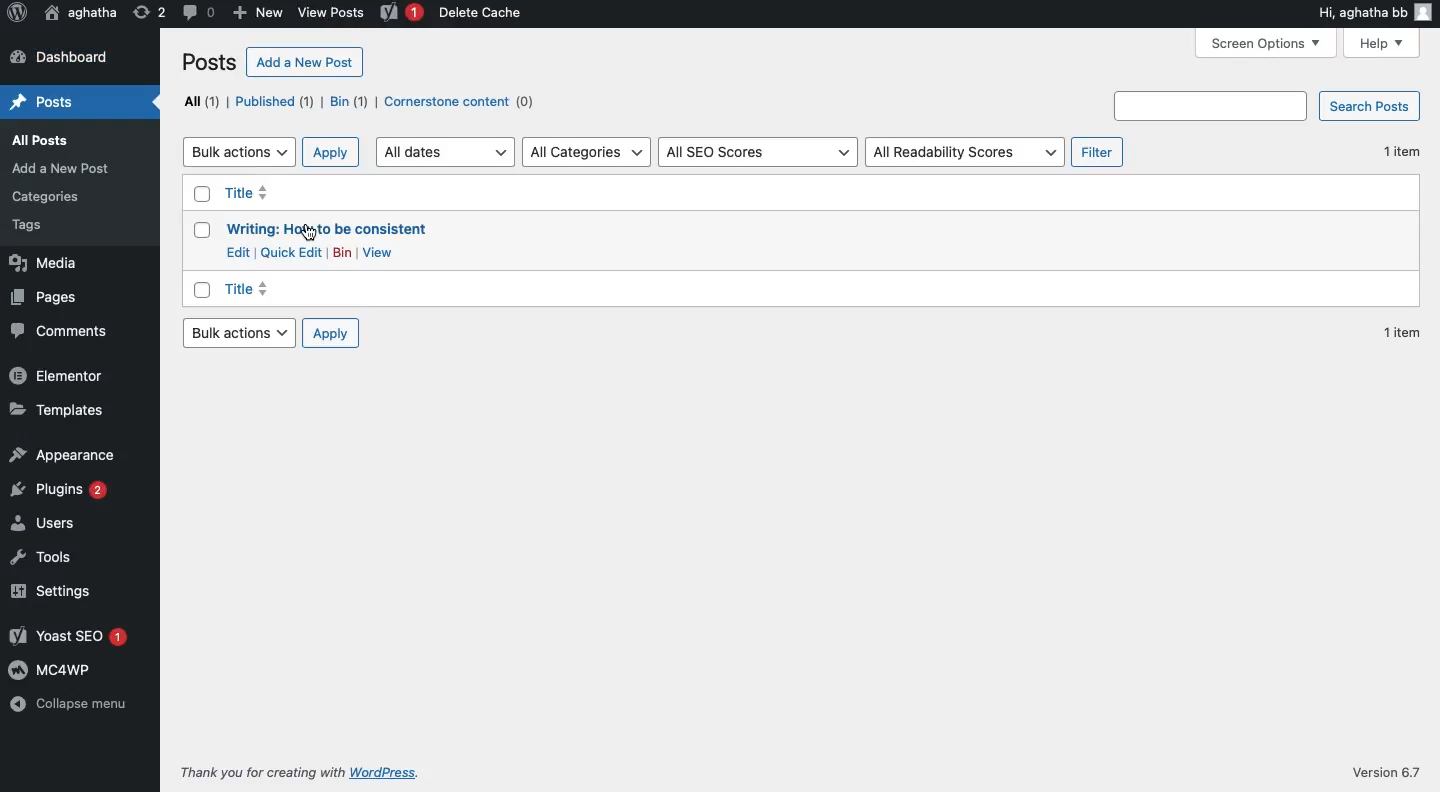 The width and height of the screenshot is (1440, 792). What do you see at coordinates (77, 15) in the screenshot?
I see `Name` at bounding box center [77, 15].